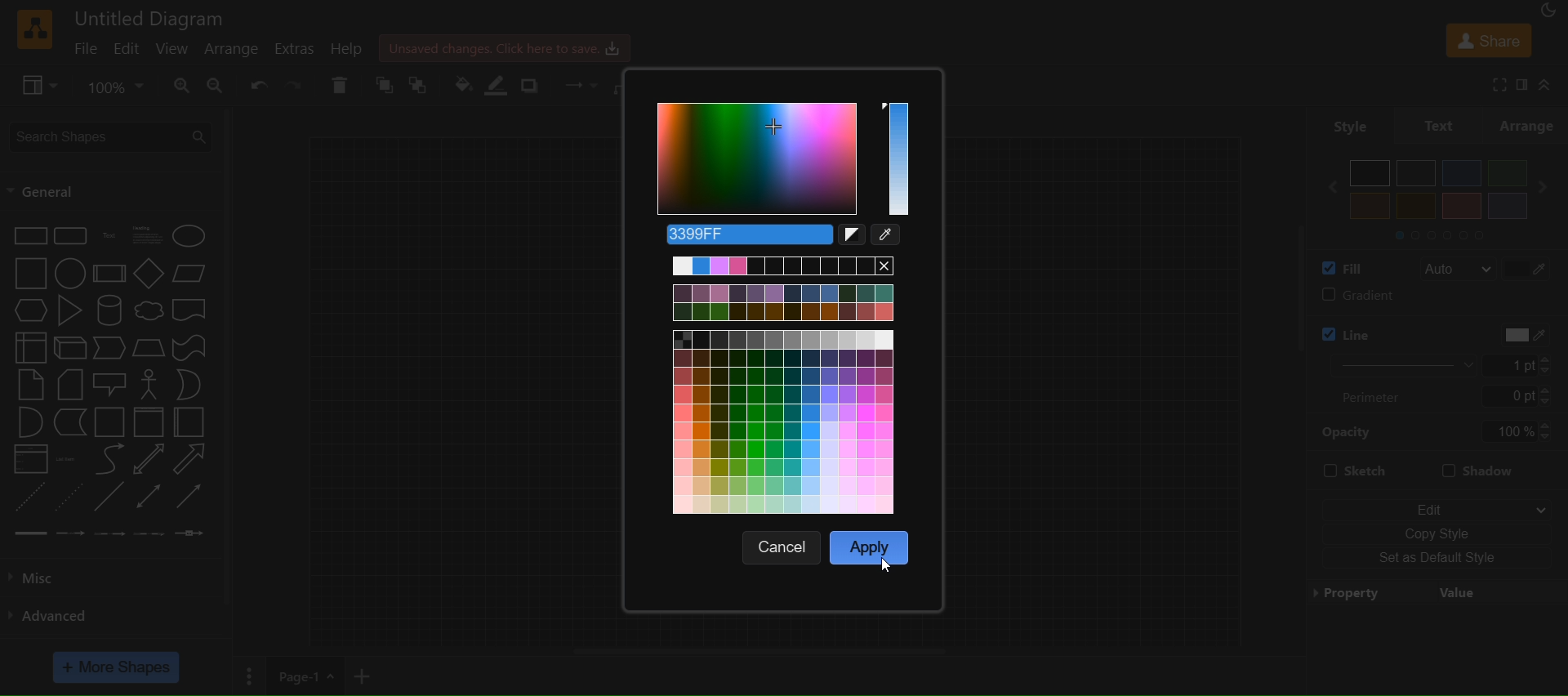 This screenshot has height=696, width=1568. Describe the element at coordinates (192, 313) in the screenshot. I see `document` at that location.